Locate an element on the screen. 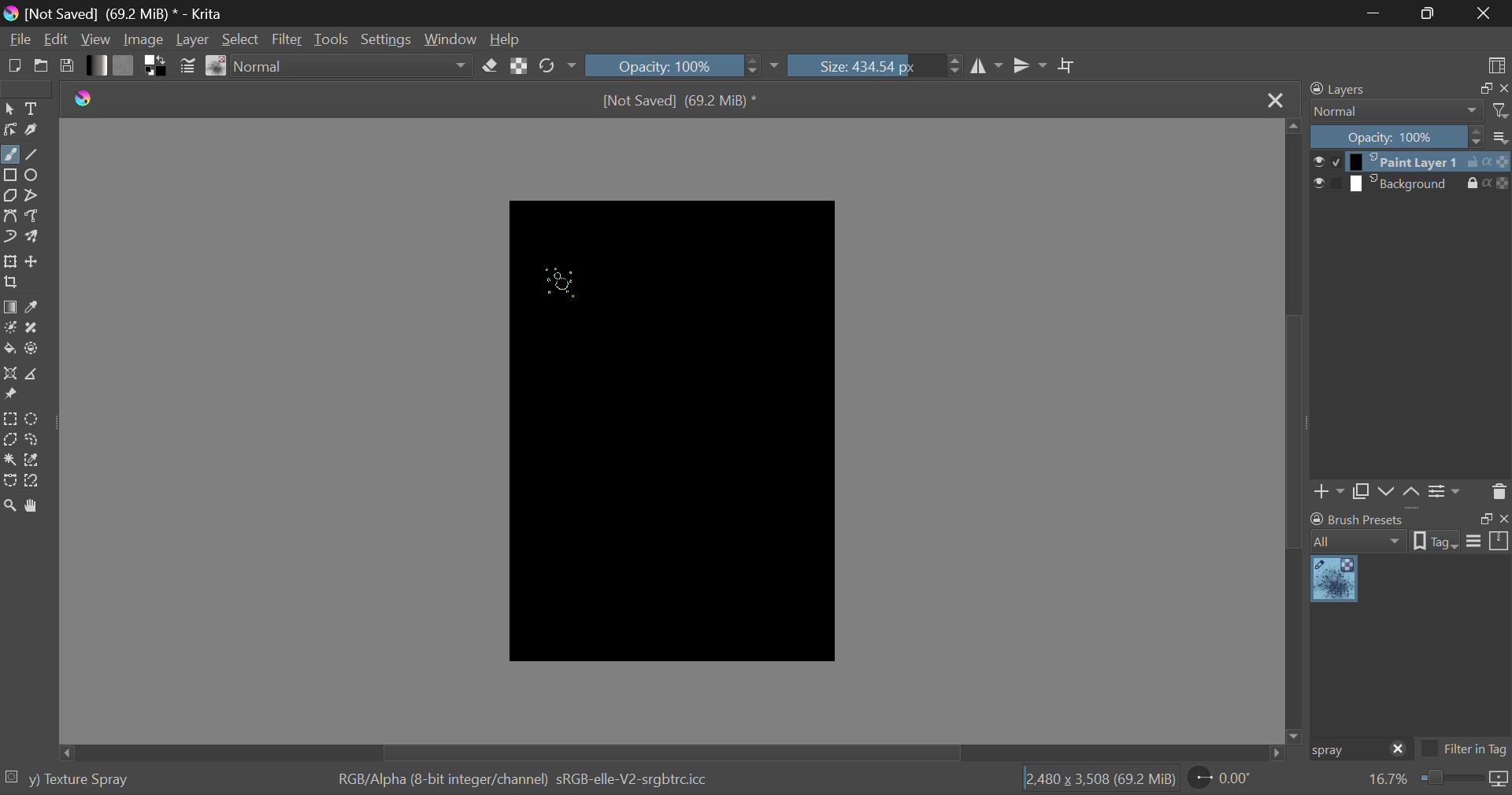 Image resolution: width=1512 pixels, height=795 pixels. [Not Saved] (69.2 MiB) * is located at coordinates (680, 102).